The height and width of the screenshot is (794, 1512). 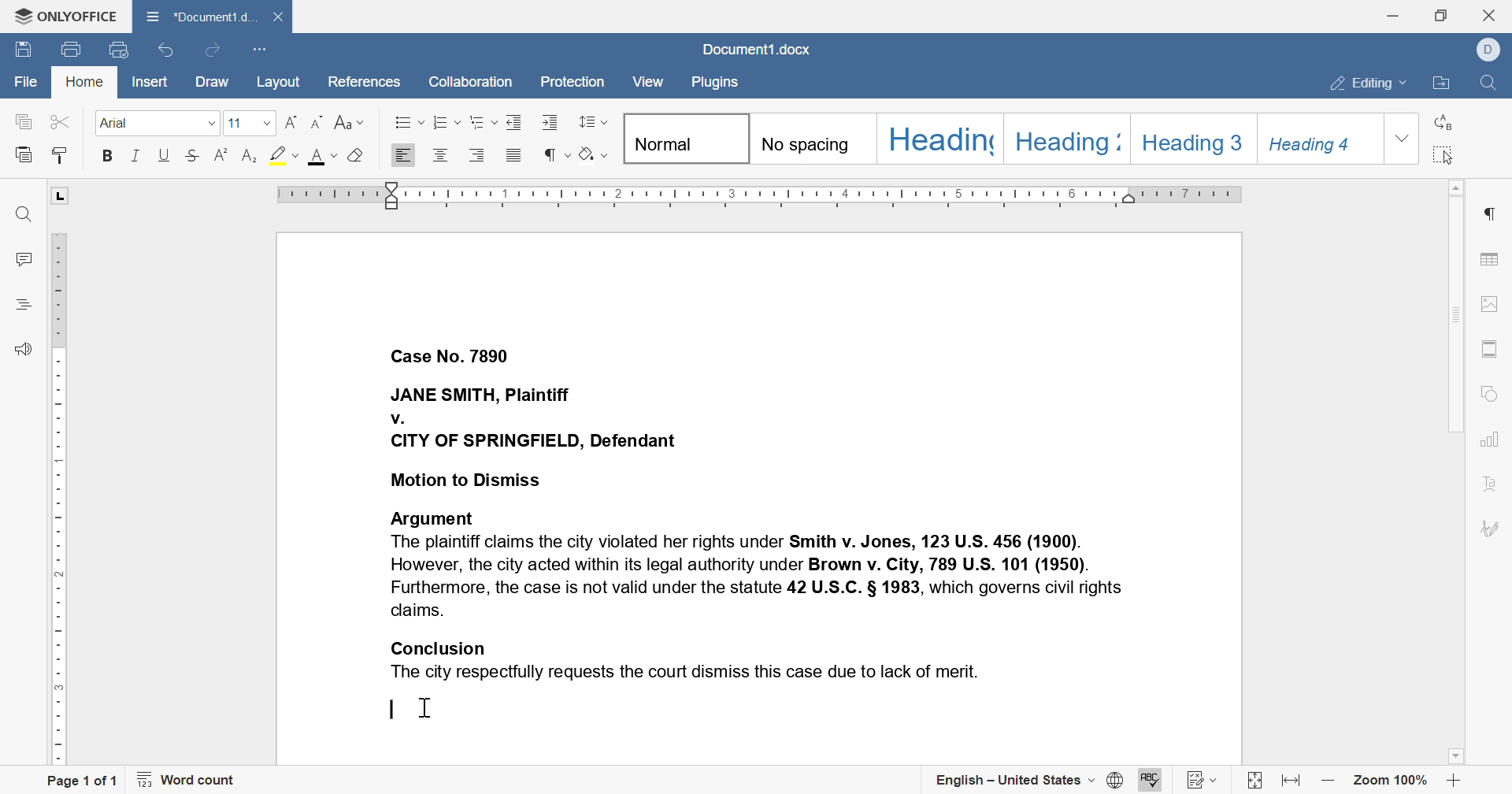 What do you see at coordinates (514, 155) in the screenshot?
I see `justified` at bounding box center [514, 155].